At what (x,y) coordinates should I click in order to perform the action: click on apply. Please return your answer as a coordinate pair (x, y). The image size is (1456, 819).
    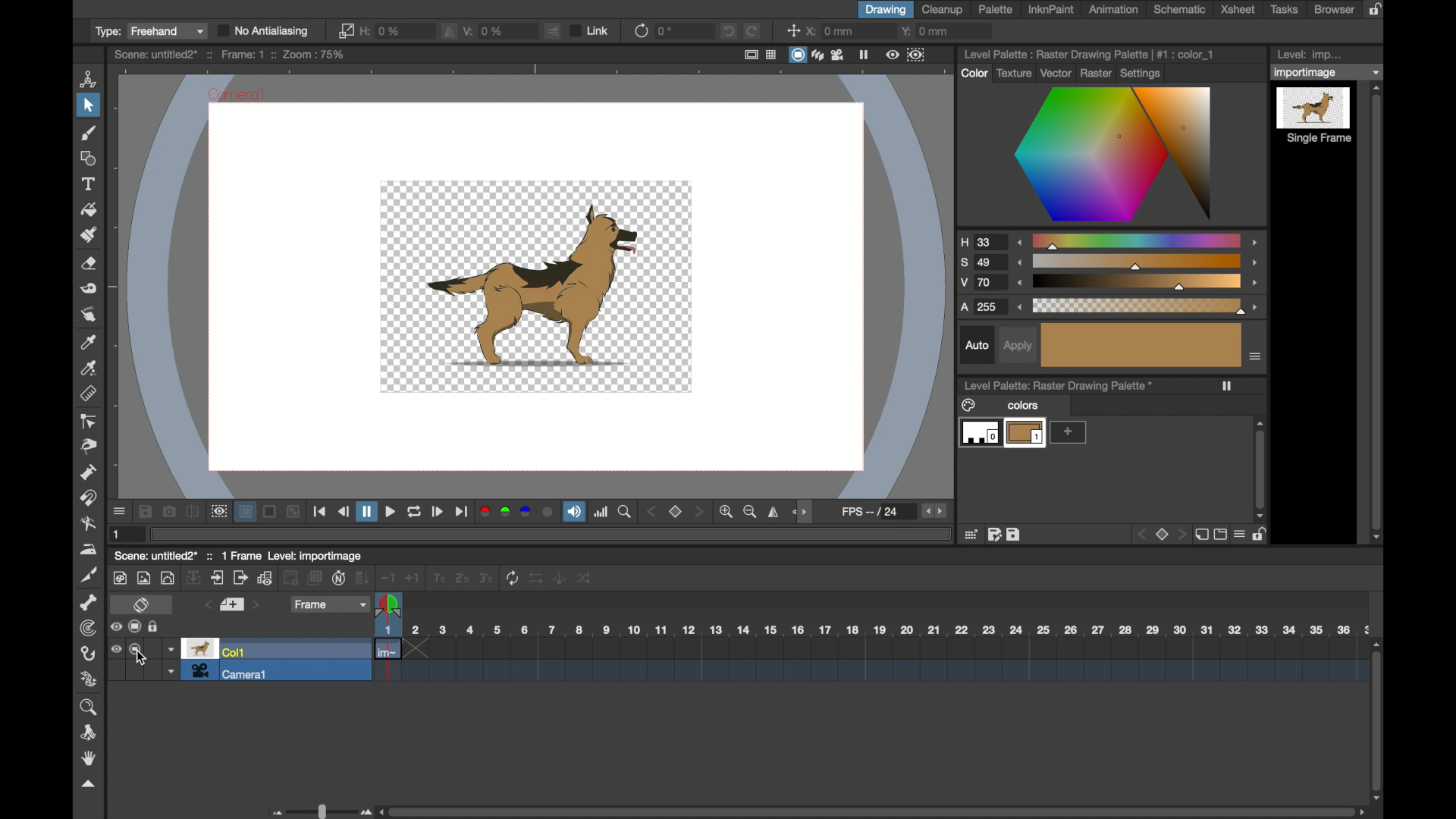
    Looking at the image, I should click on (1018, 347).